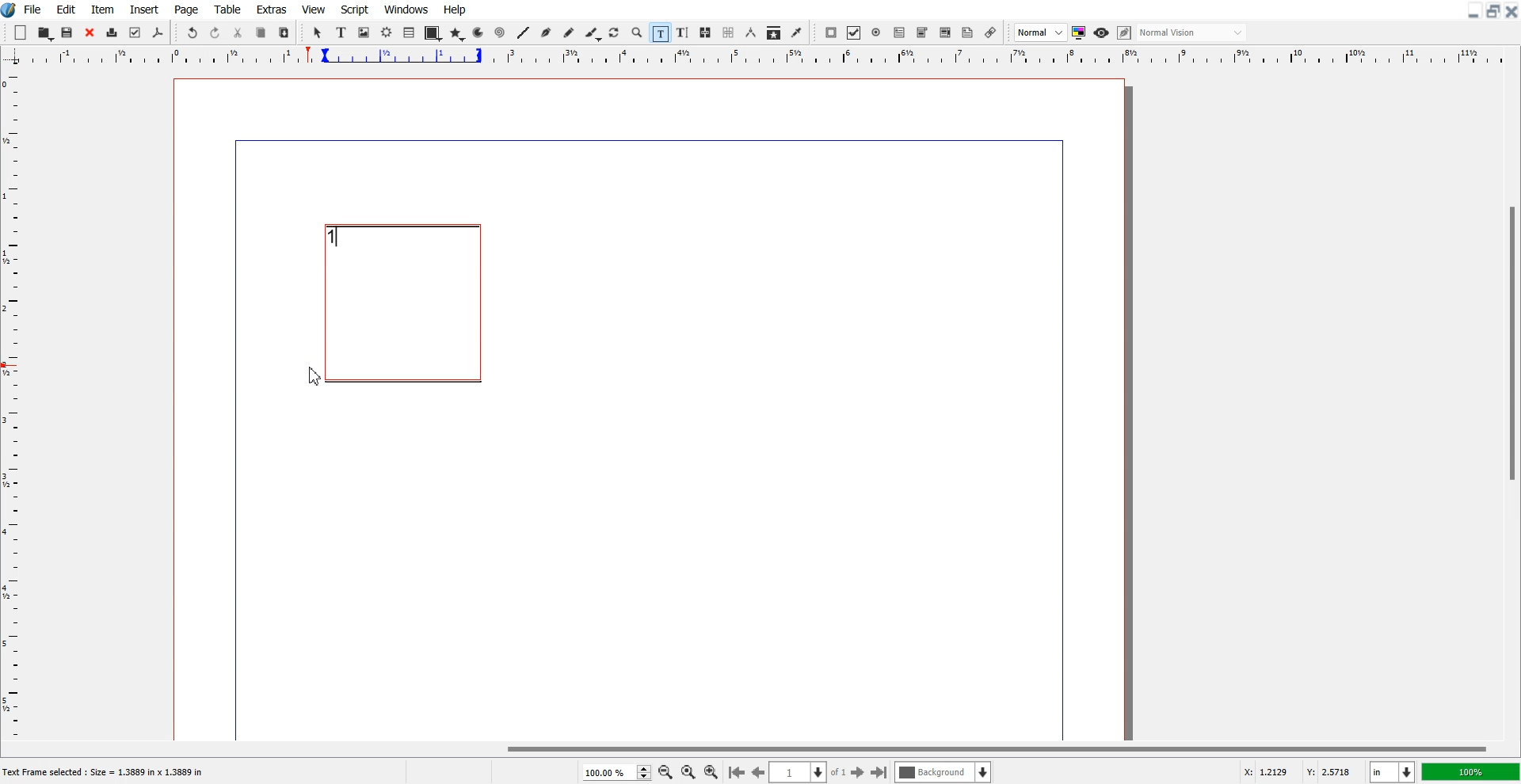 The height and width of the screenshot is (784, 1521). I want to click on close, so click(1511, 12).